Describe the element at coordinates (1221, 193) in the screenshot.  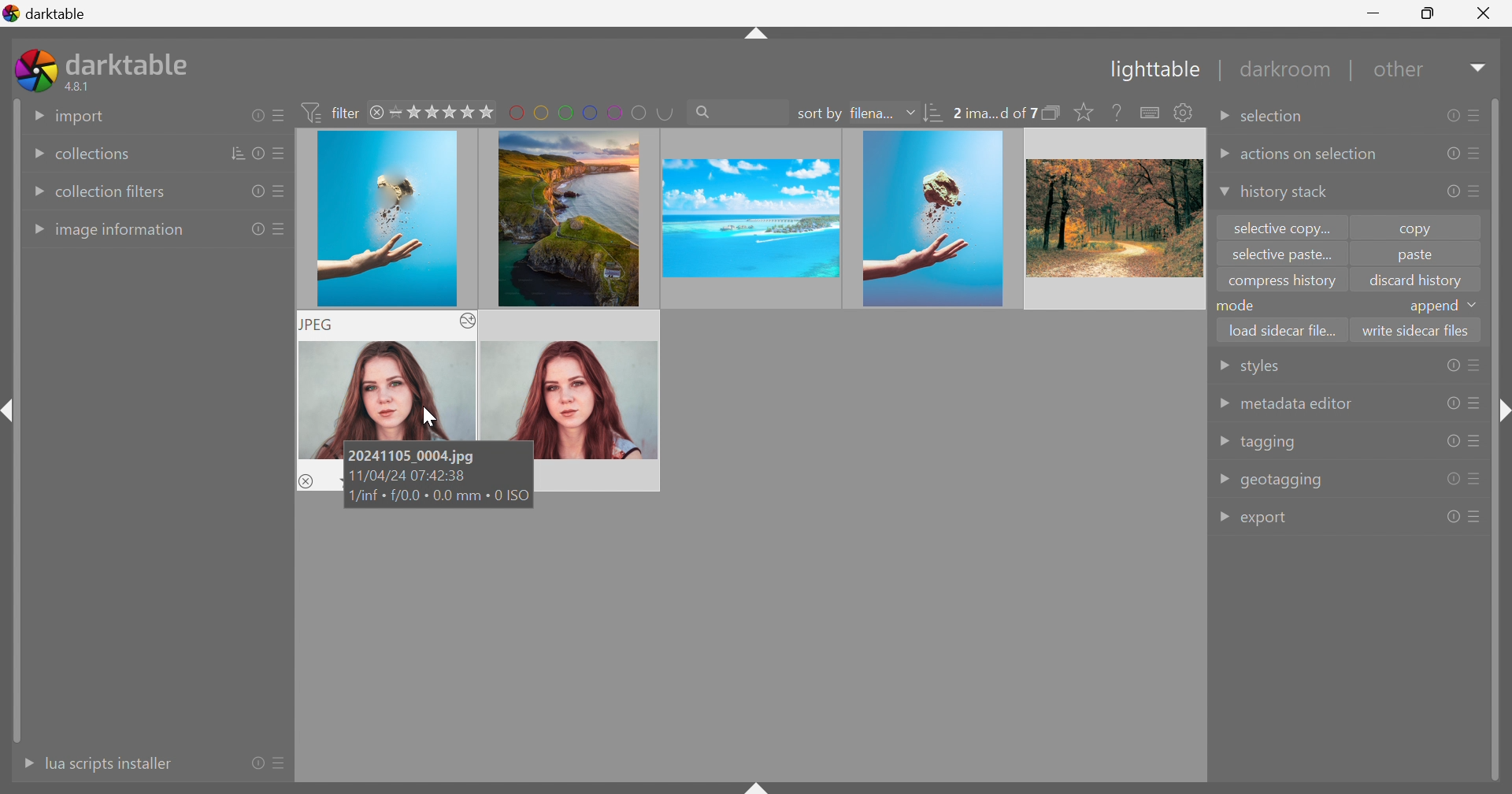
I see `Drop Down` at that location.